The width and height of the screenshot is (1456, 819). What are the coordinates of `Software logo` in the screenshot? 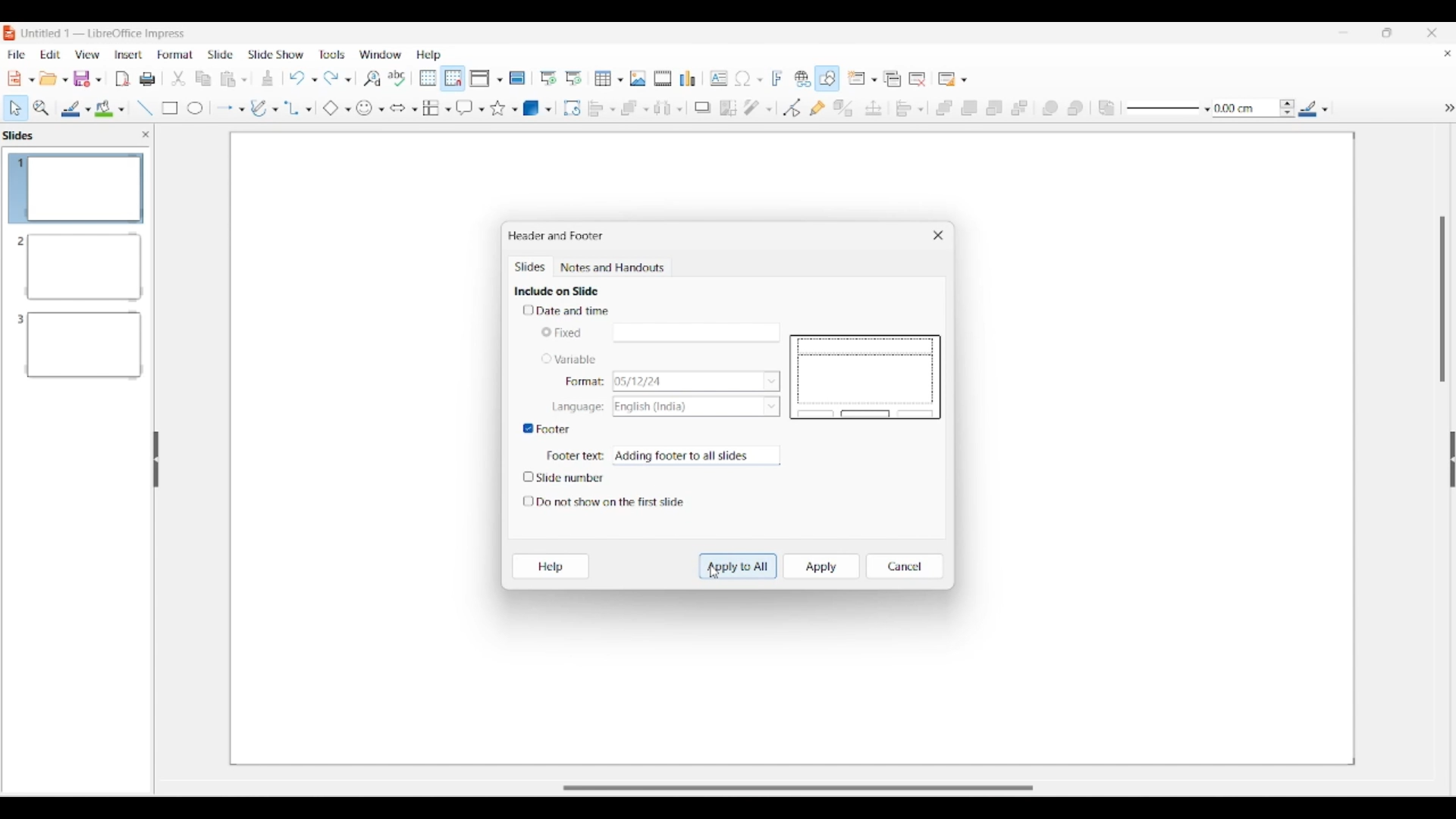 It's located at (10, 33).